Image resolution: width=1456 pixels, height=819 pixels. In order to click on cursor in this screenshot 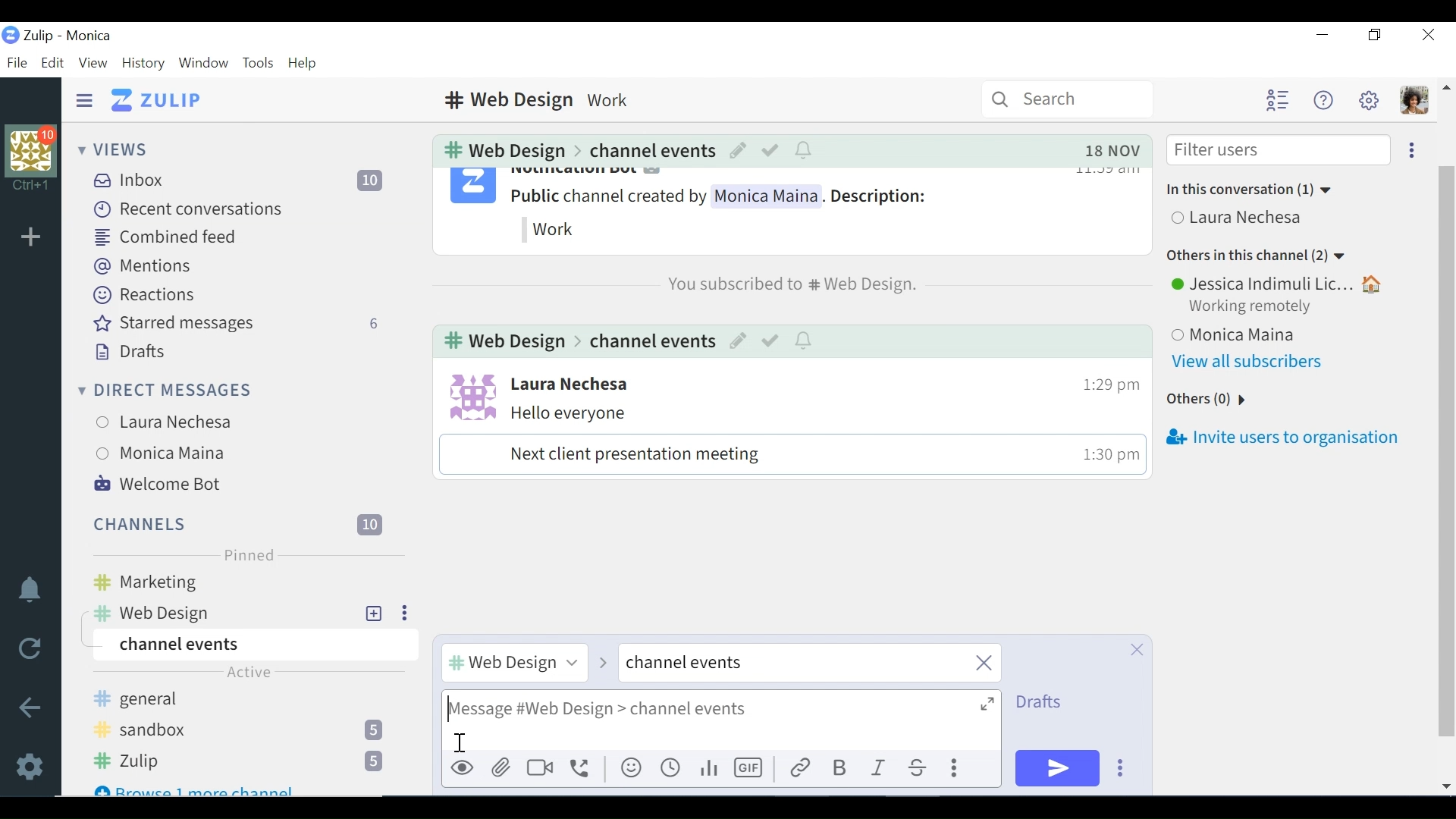, I will do `click(459, 740)`.